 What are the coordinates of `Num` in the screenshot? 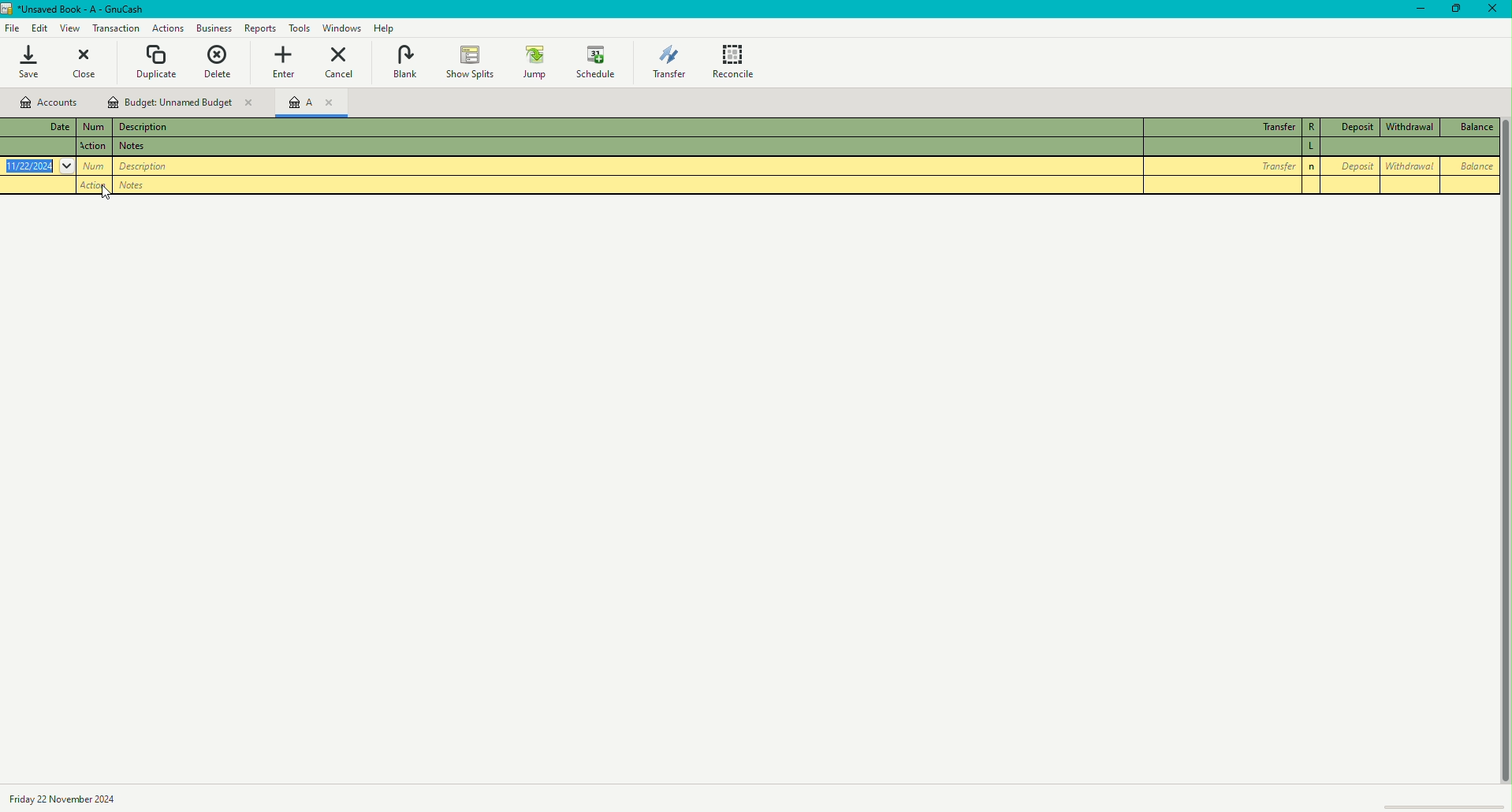 It's located at (95, 166).